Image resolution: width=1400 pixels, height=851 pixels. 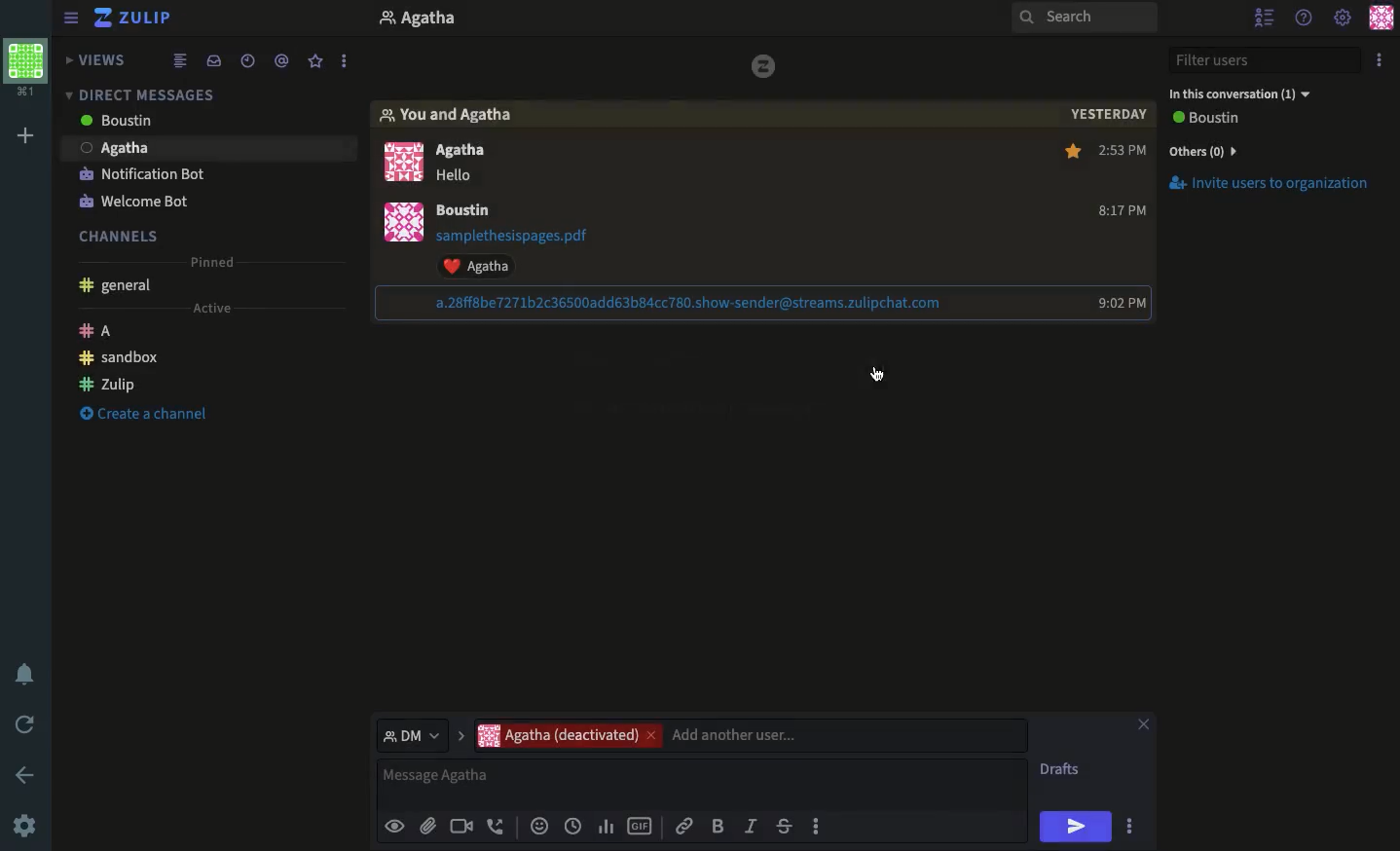 I want to click on General, so click(x=119, y=287).